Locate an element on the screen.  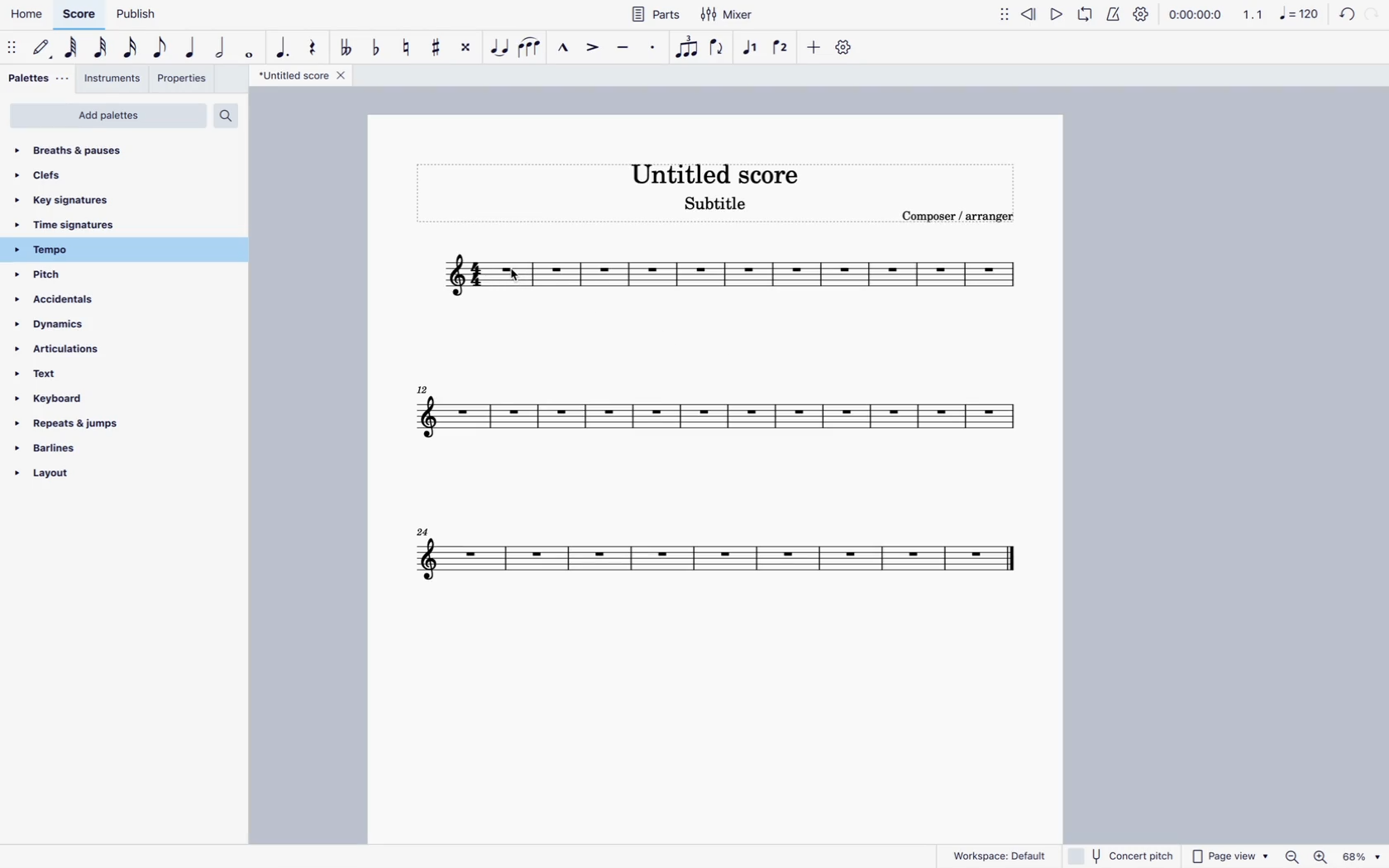
mixer is located at coordinates (728, 16).